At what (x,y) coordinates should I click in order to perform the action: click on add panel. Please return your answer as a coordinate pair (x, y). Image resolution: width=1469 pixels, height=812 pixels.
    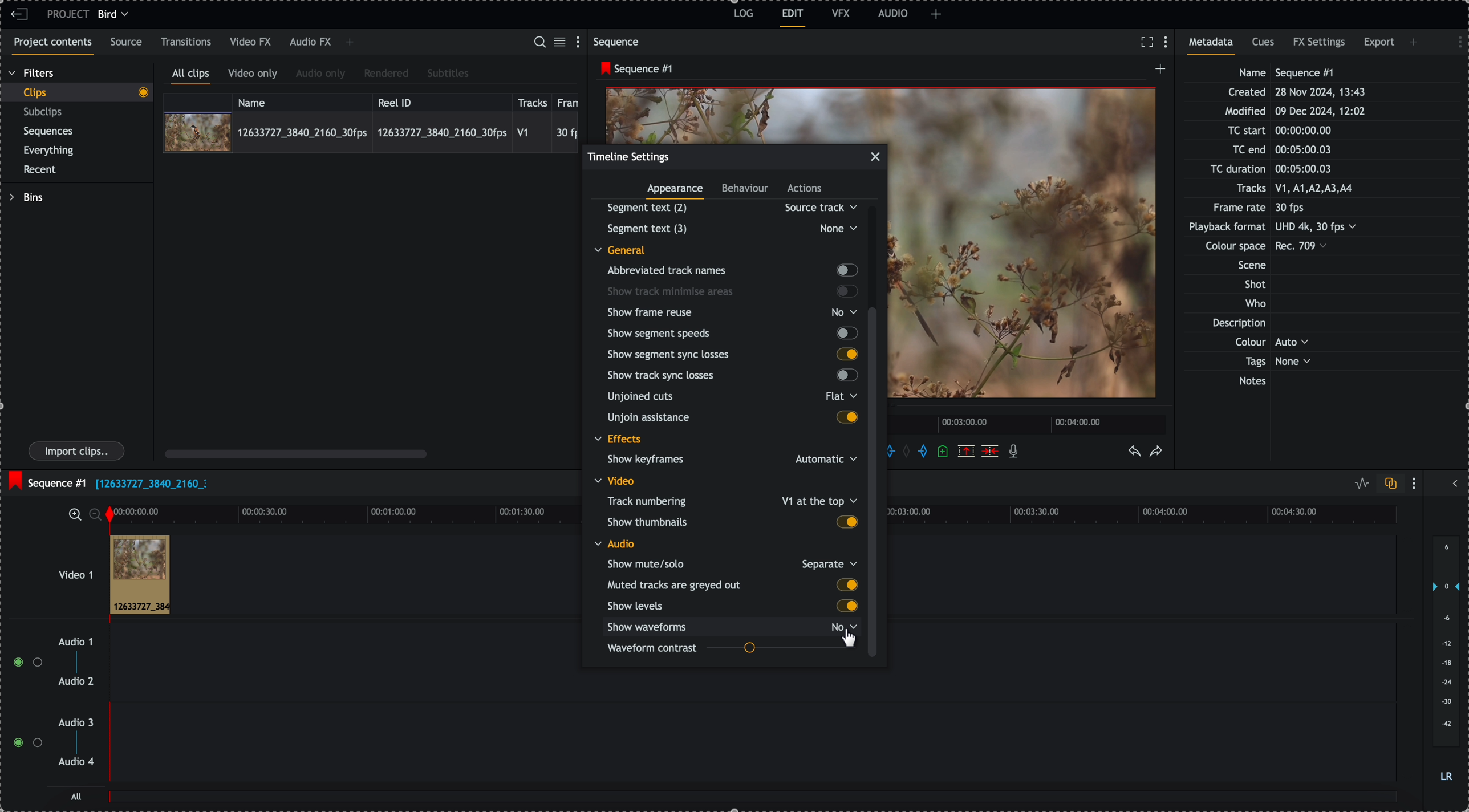
    Looking at the image, I should click on (936, 14).